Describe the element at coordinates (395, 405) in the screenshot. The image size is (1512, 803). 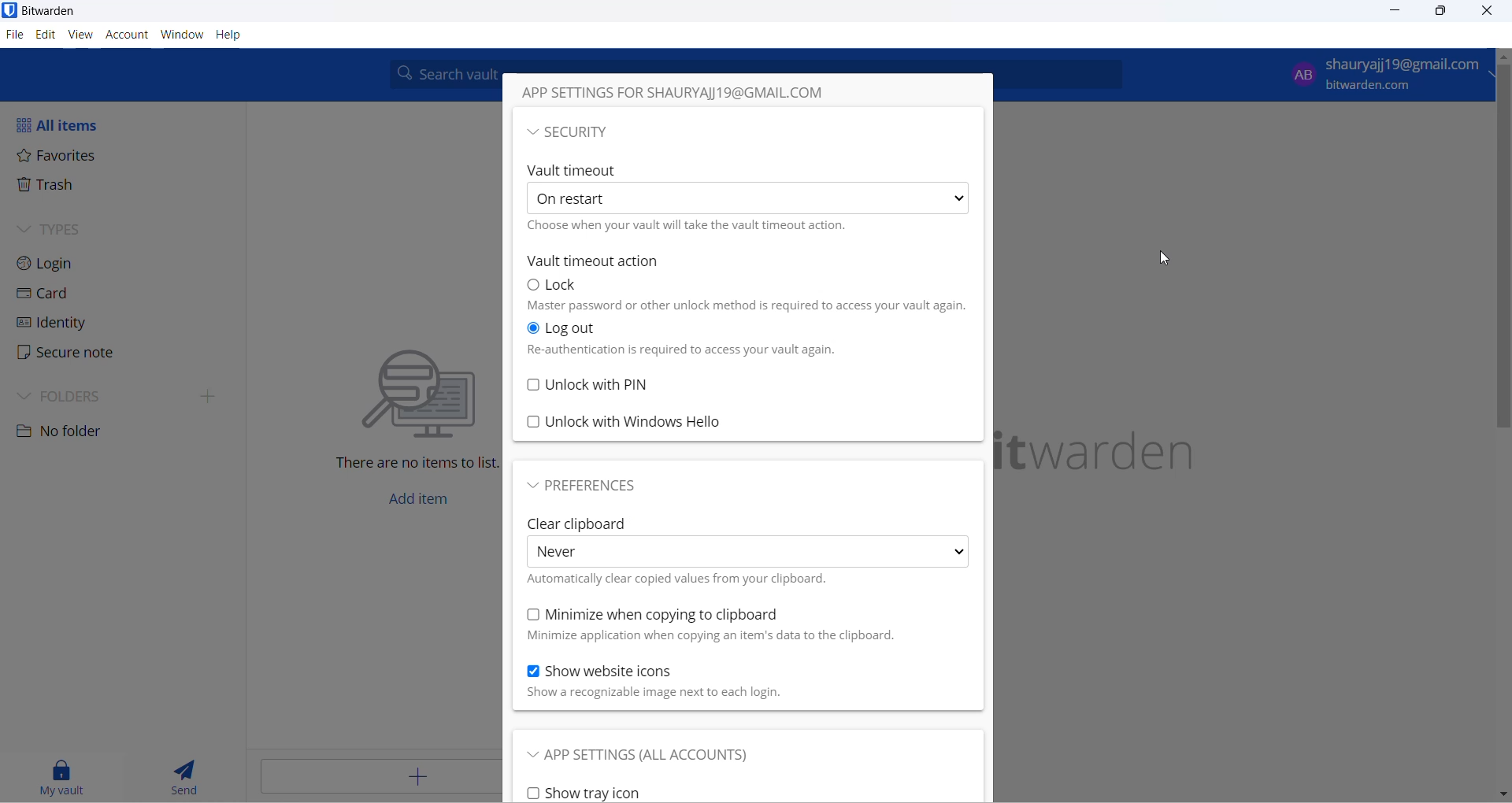
I see `text and graphics` at that location.